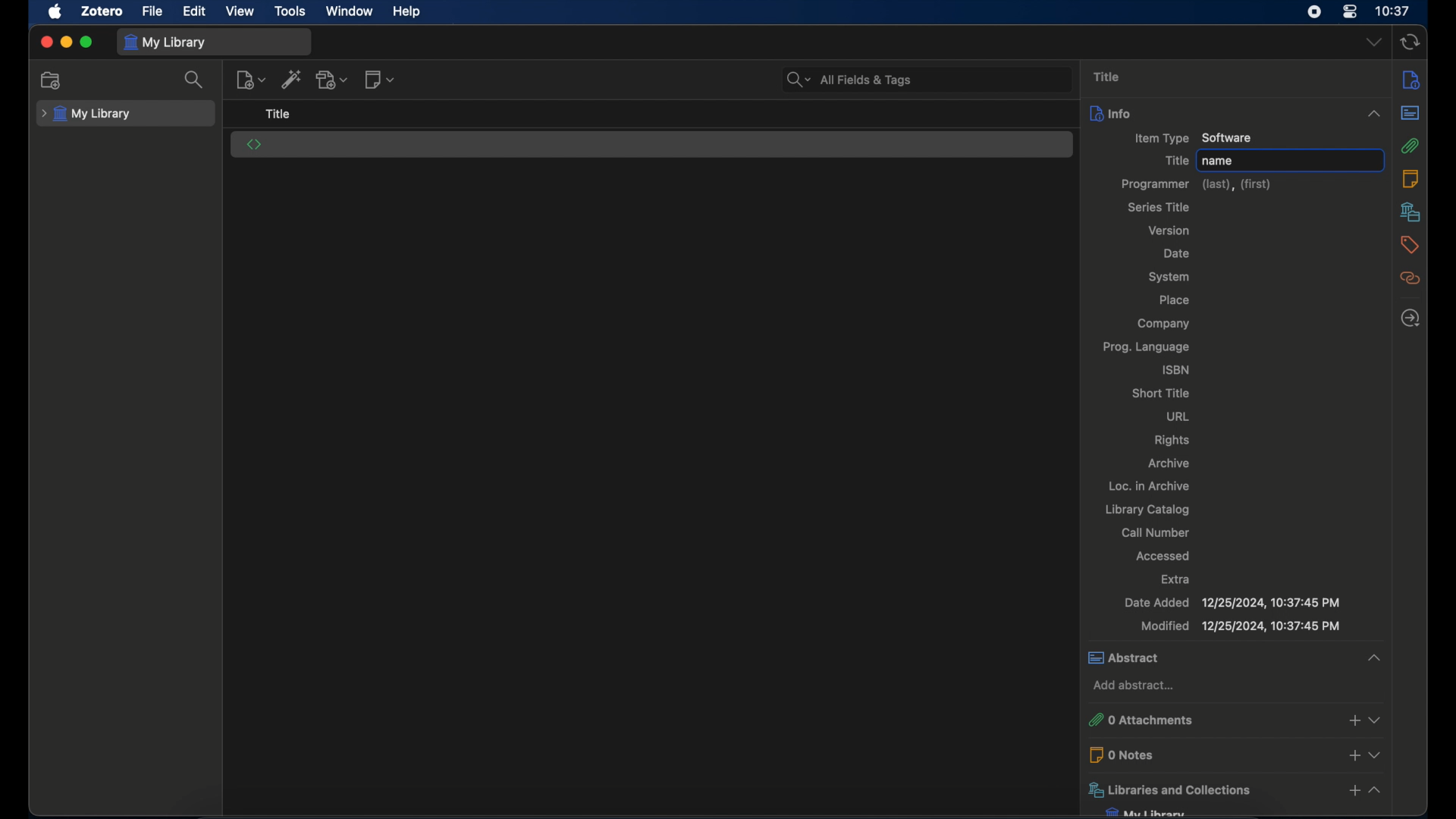  Describe the element at coordinates (292, 81) in the screenshot. I see `add item  by identifier` at that location.